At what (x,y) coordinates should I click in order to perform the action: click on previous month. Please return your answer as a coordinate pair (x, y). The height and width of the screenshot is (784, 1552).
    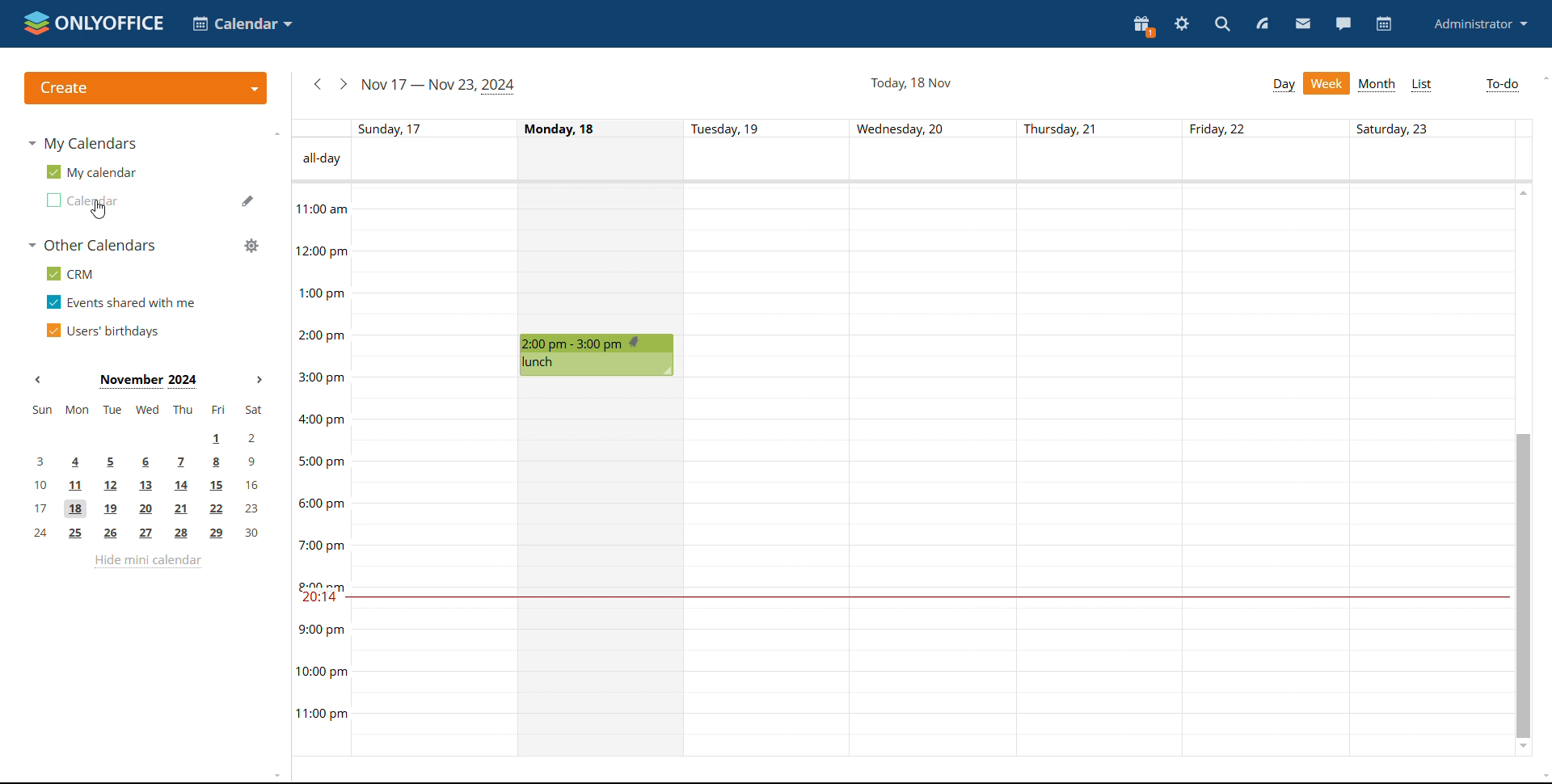
    Looking at the image, I should click on (318, 85).